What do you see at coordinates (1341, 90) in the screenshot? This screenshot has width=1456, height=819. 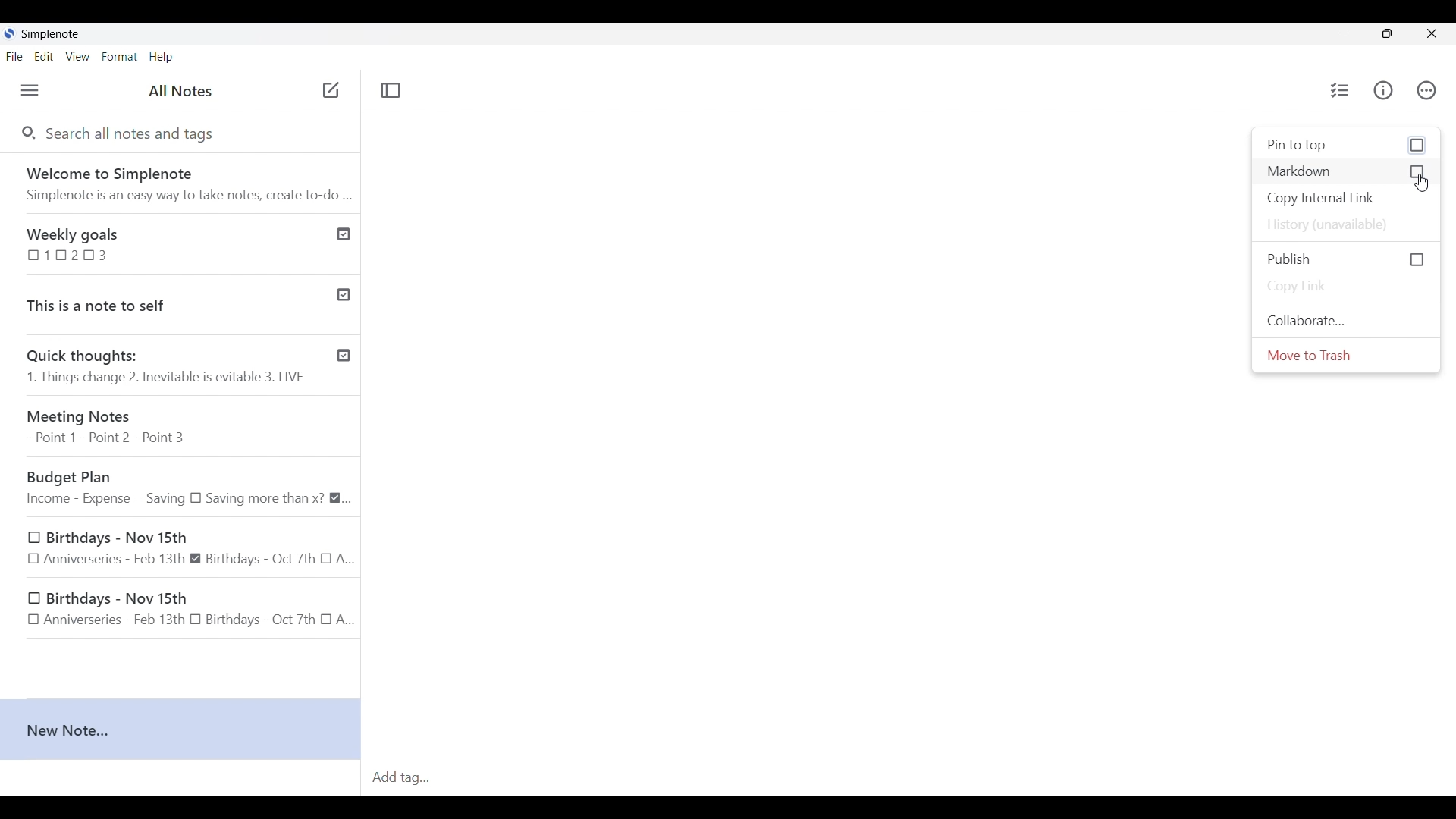 I see `Insert checklist` at bounding box center [1341, 90].